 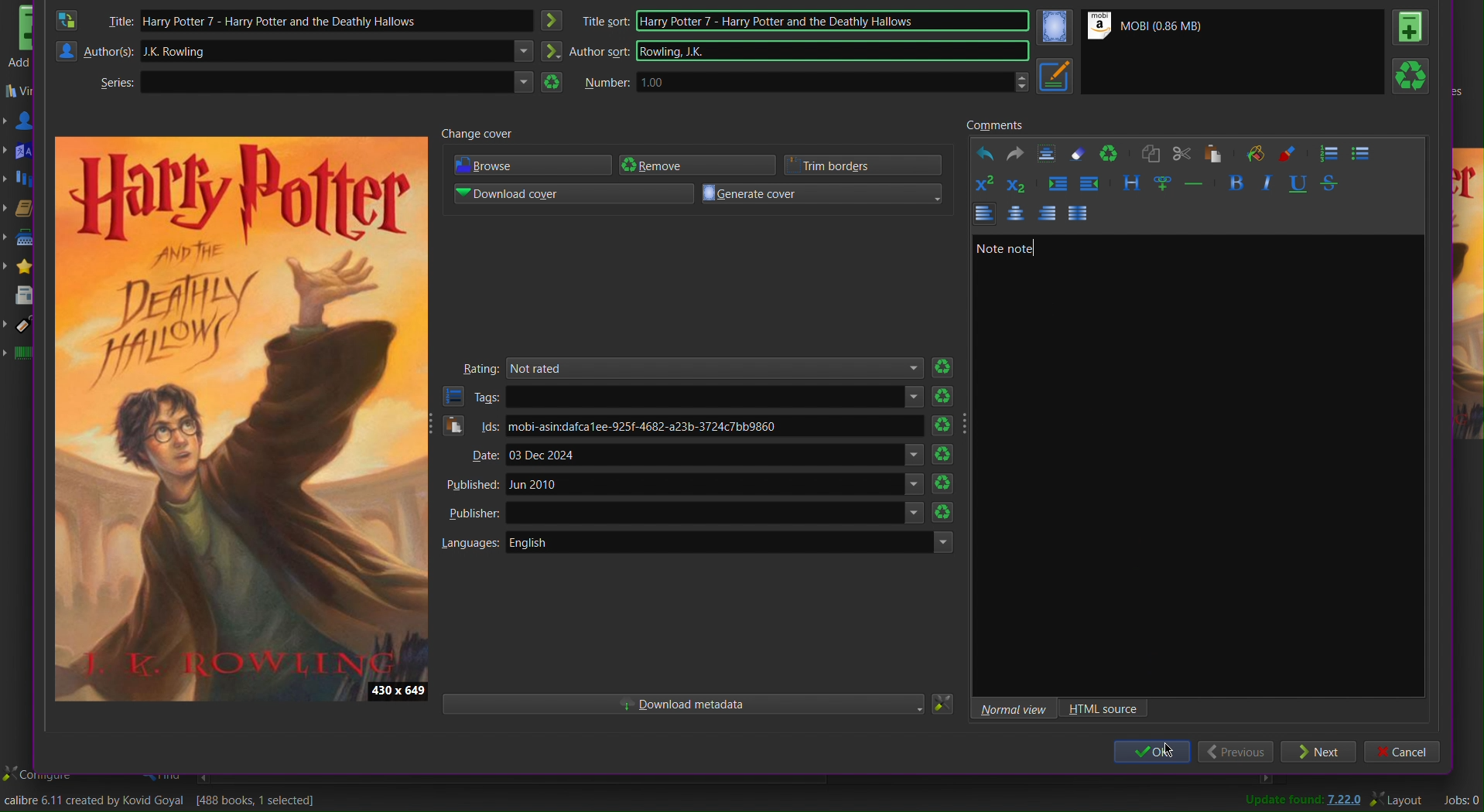 What do you see at coordinates (1331, 153) in the screenshot?
I see `Numbered List` at bounding box center [1331, 153].